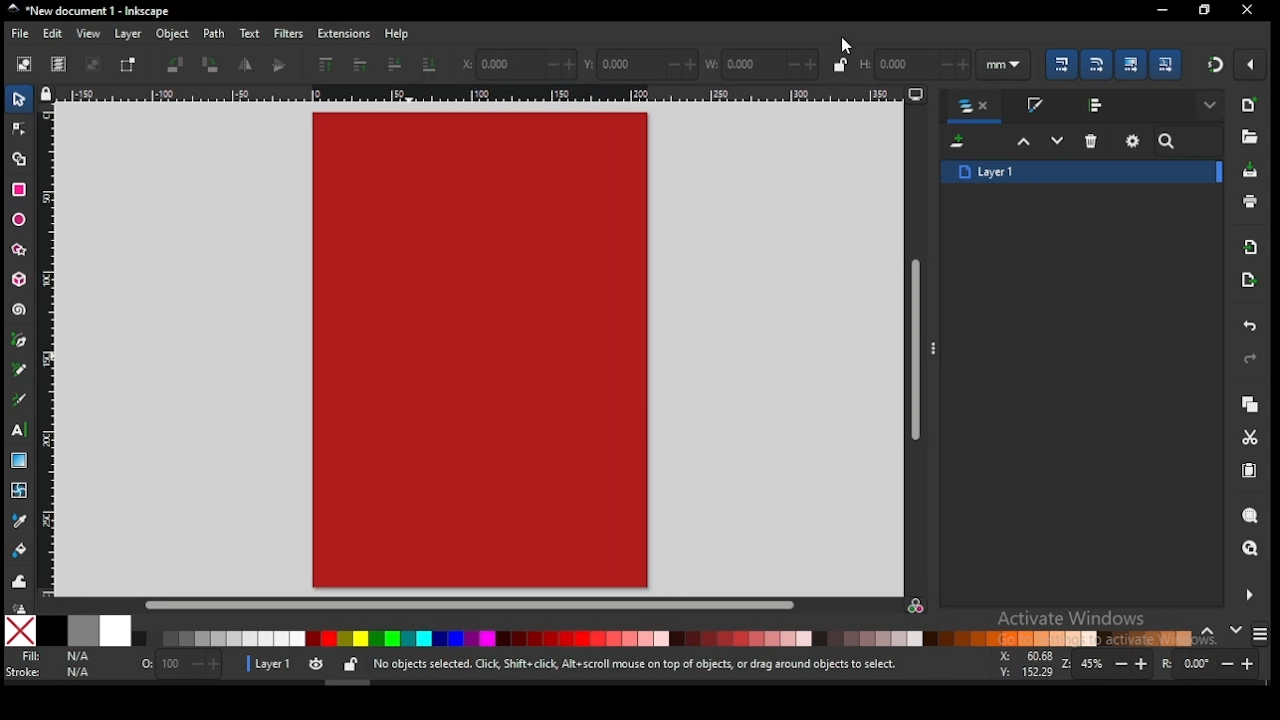  I want to click on activate windows, so click(1069, 620).